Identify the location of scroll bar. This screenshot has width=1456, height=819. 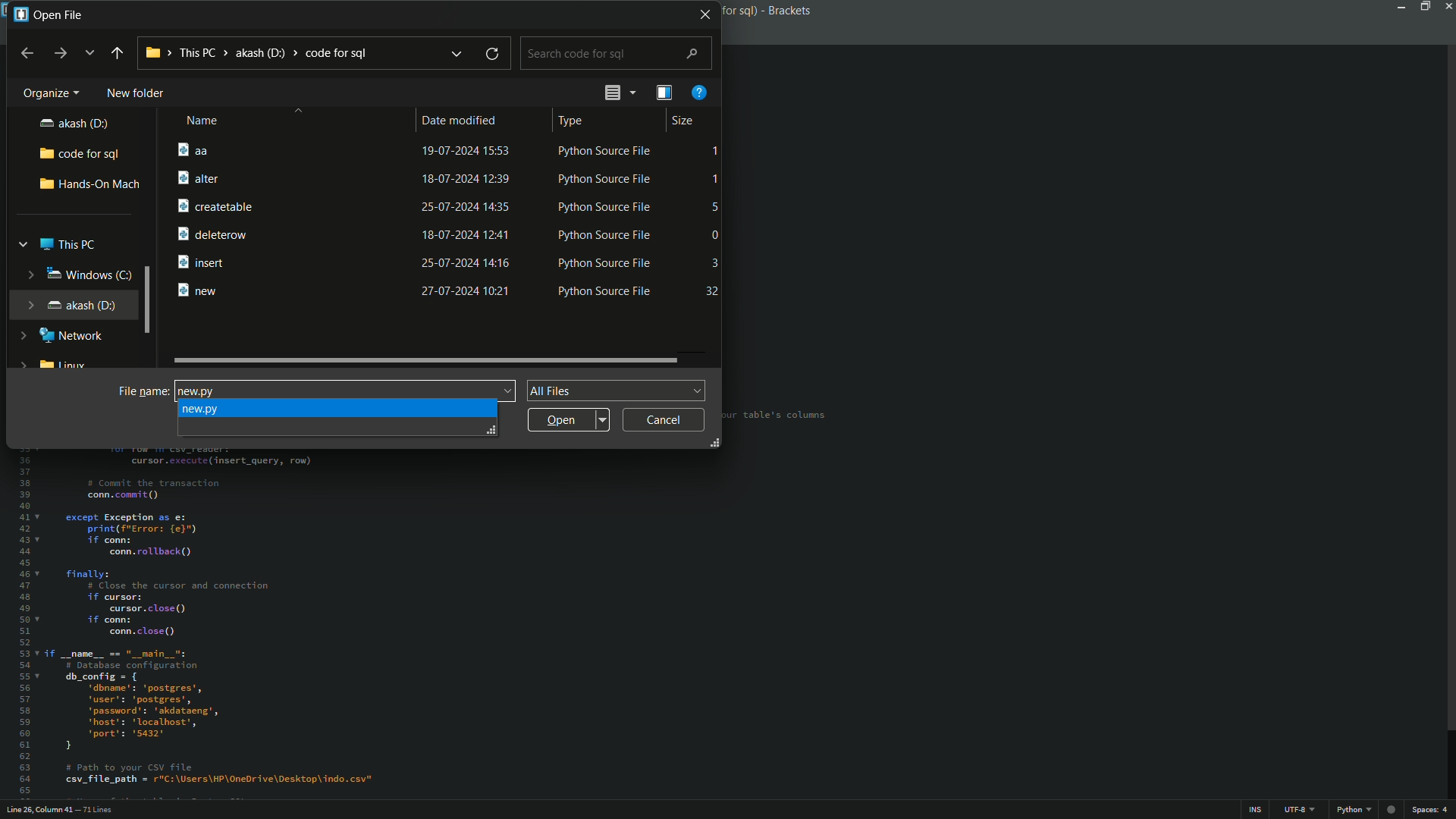
(152, 299).